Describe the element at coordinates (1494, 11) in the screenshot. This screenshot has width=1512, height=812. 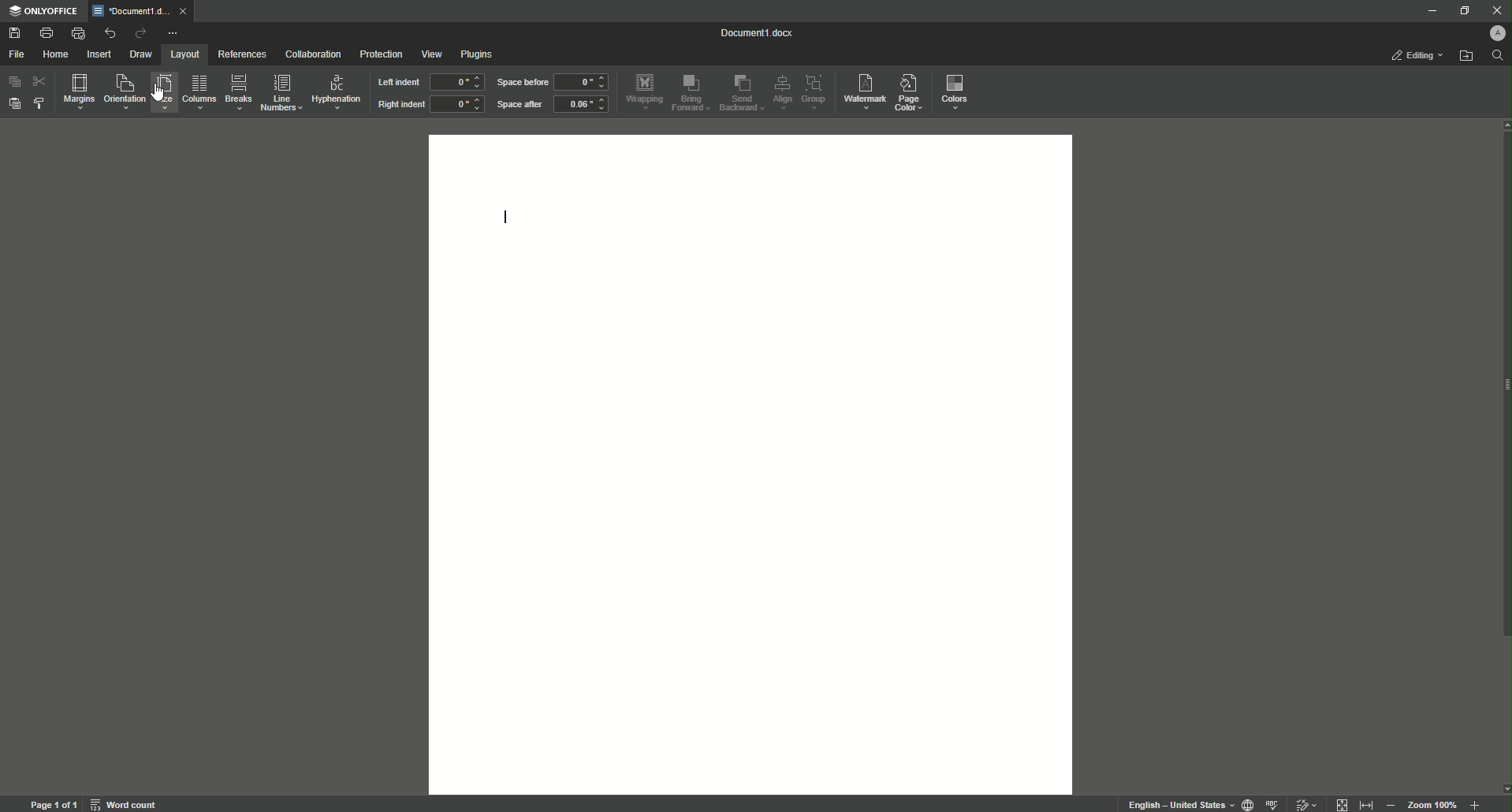
I see `Close` at that location.